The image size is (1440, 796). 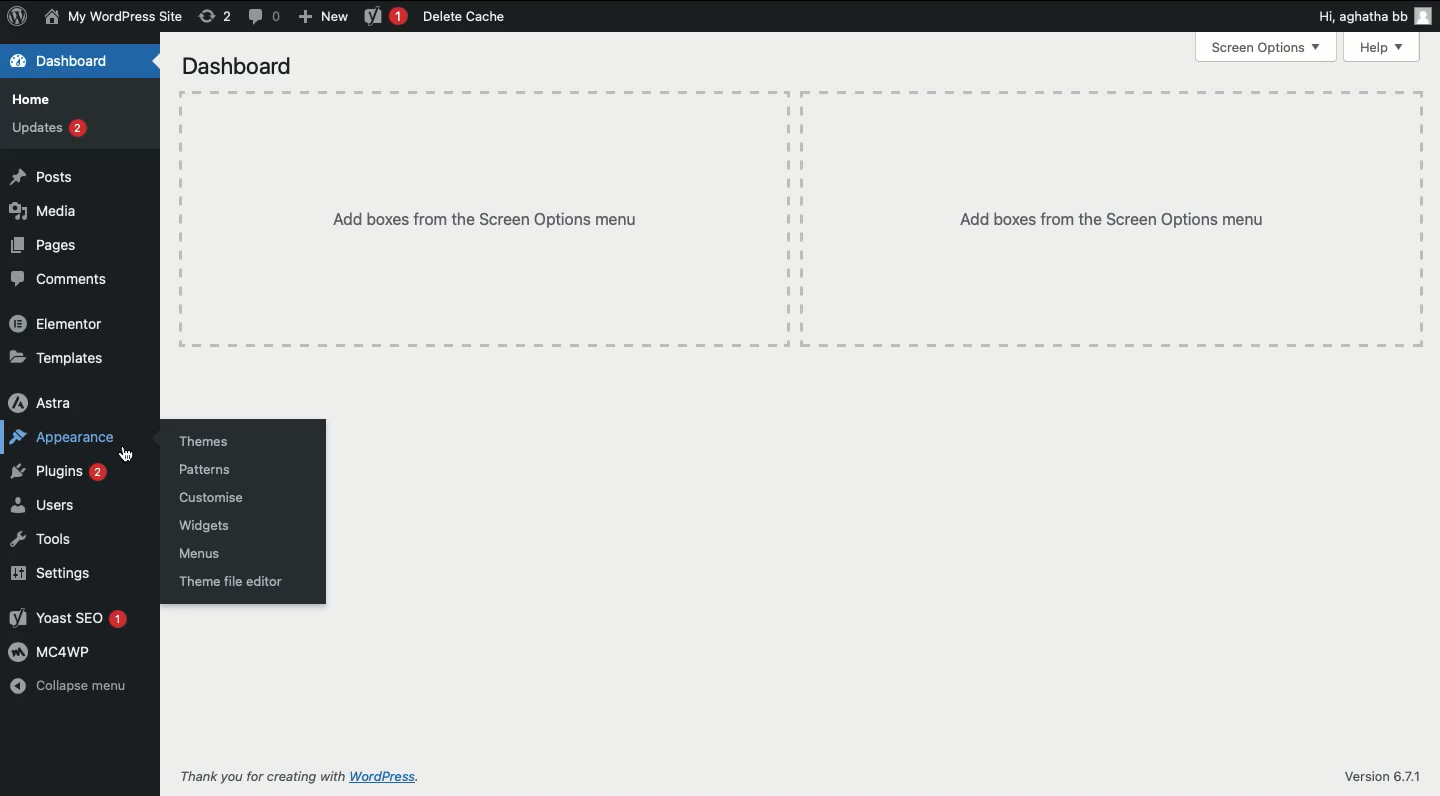 I want to click on Comments., so click(x=72, y=283).